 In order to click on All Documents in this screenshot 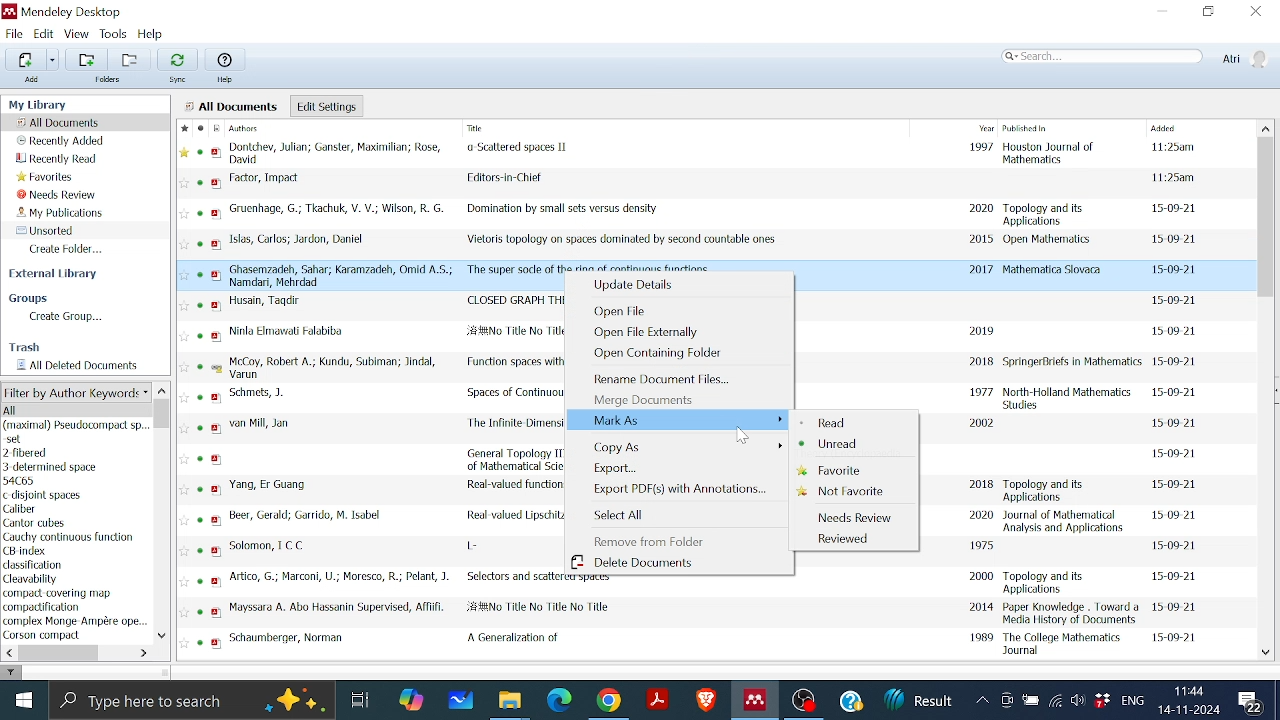, I will do `click(230, 108)`.